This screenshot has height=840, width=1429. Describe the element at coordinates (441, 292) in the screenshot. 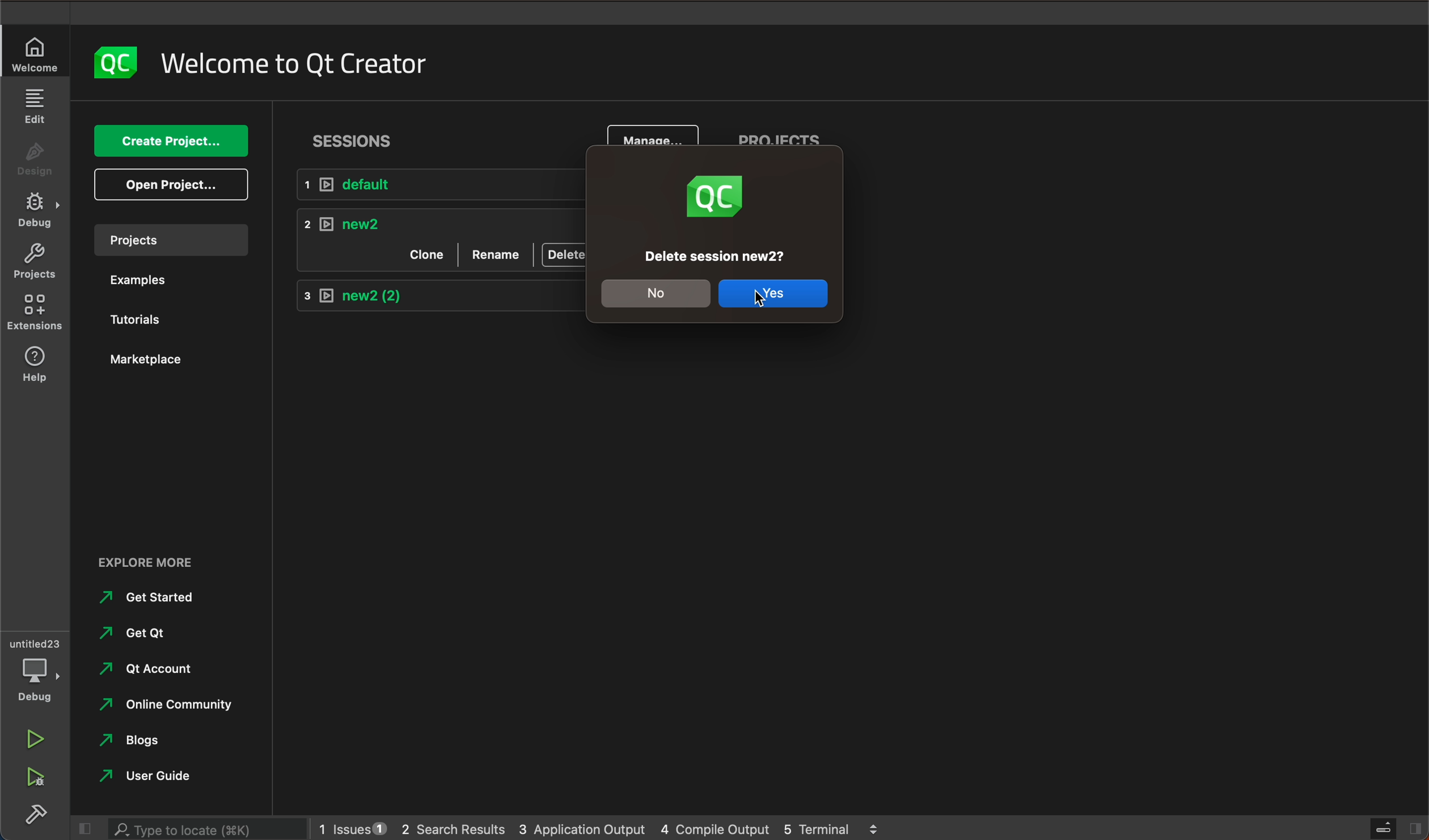

I see `new 2` at that location.